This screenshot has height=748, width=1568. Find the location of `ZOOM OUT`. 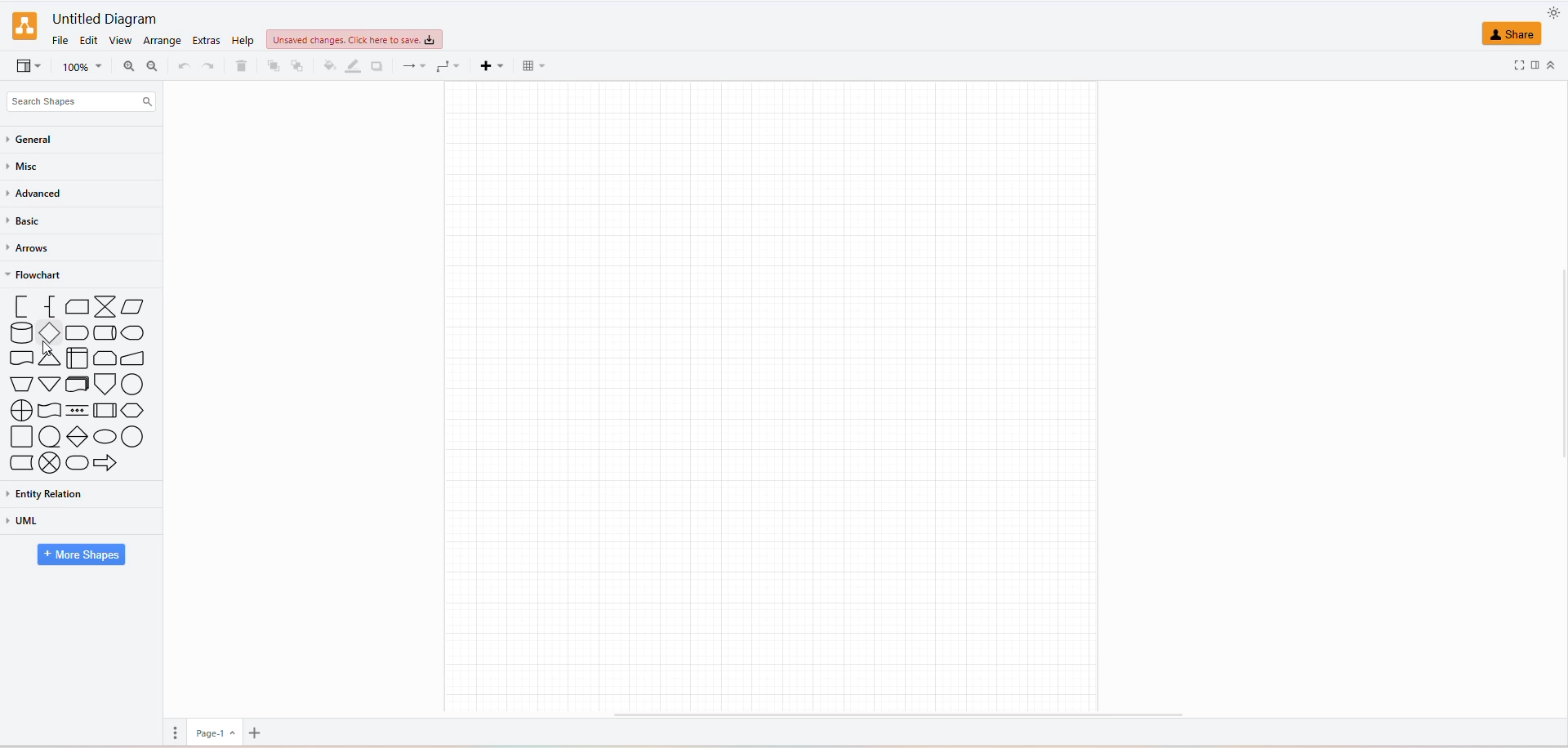

ZOOM OUT is located at coordinates (150, 65).